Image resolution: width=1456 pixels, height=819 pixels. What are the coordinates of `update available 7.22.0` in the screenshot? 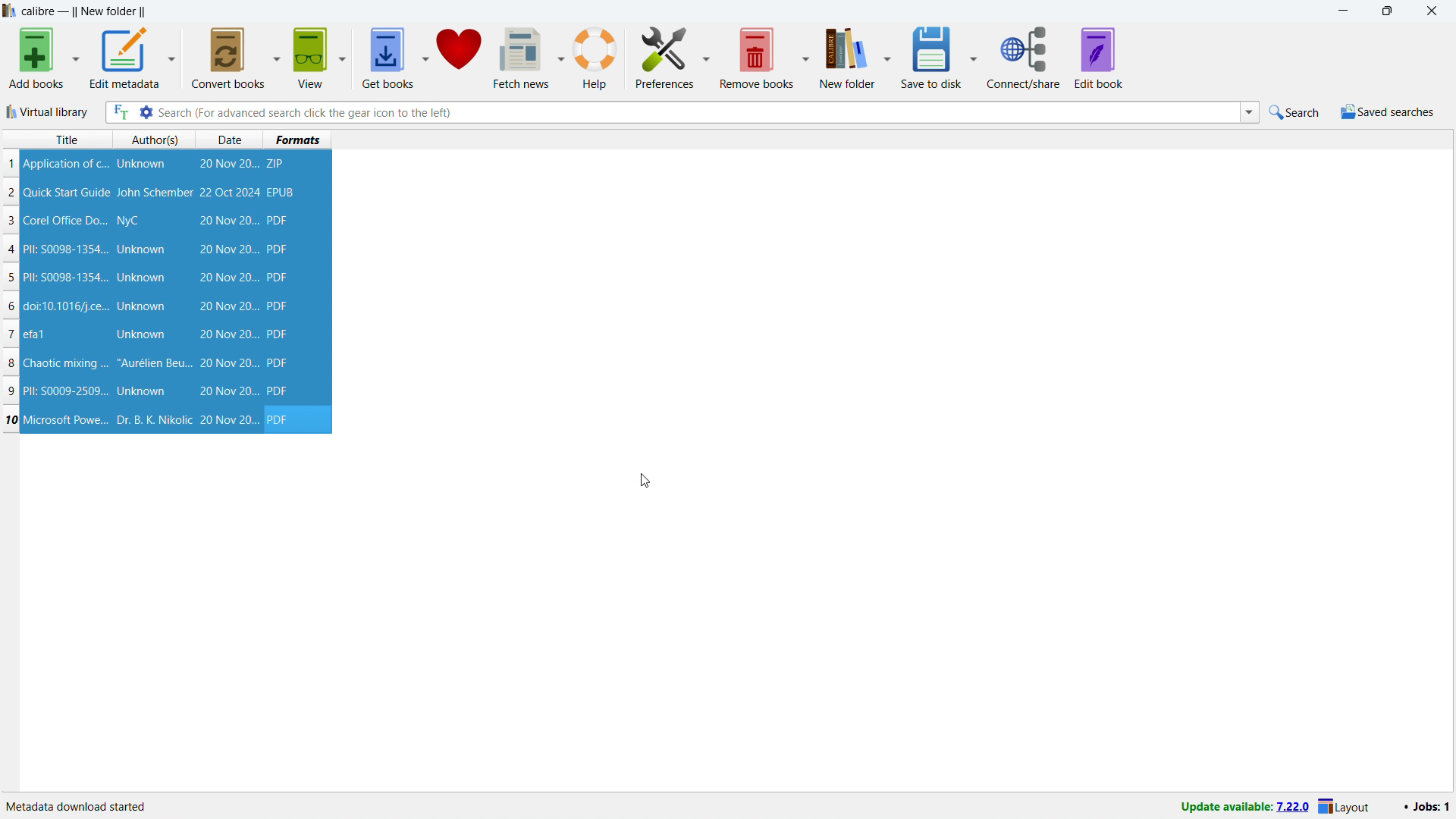 It's located at (1236, 807).